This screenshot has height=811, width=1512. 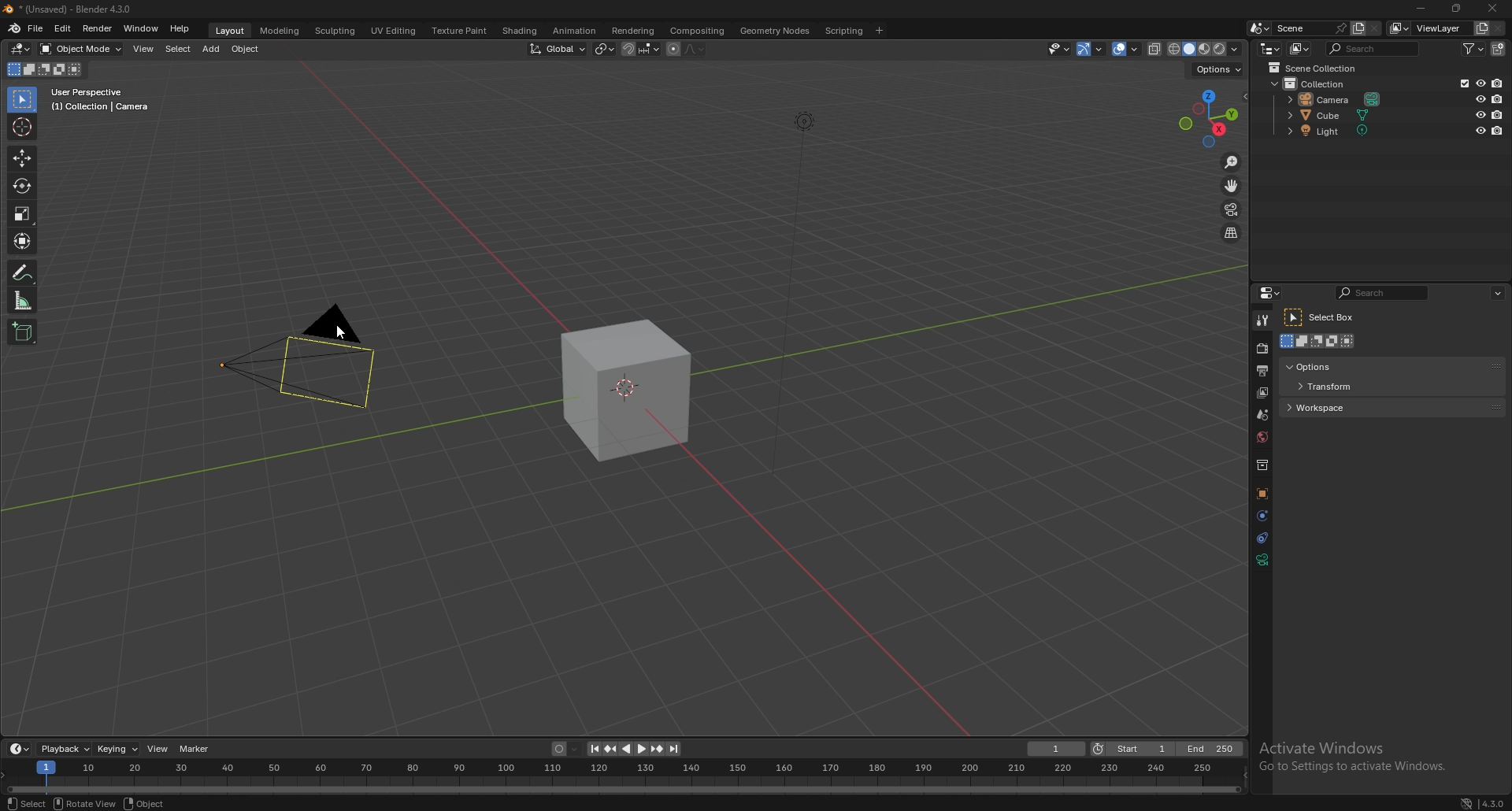 What do you see at coordinates (1375, 28) in the screenshot?
I see `delete scene` at bounding box center [1375, 28].